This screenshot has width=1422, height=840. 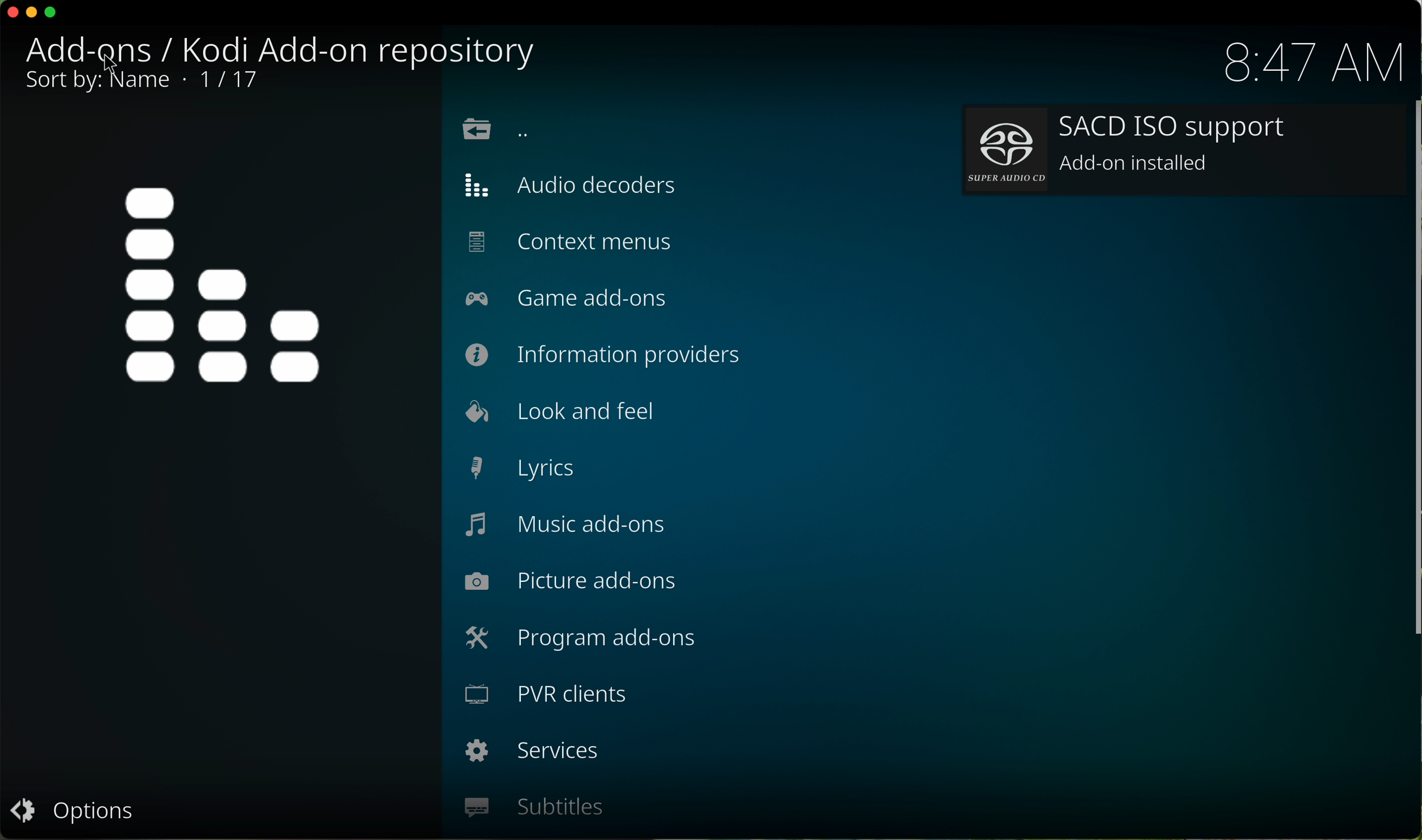 What do you see at coordinates (1311, 61) in the screenshot?
I see `hour` at bounding box center [1311, 61].